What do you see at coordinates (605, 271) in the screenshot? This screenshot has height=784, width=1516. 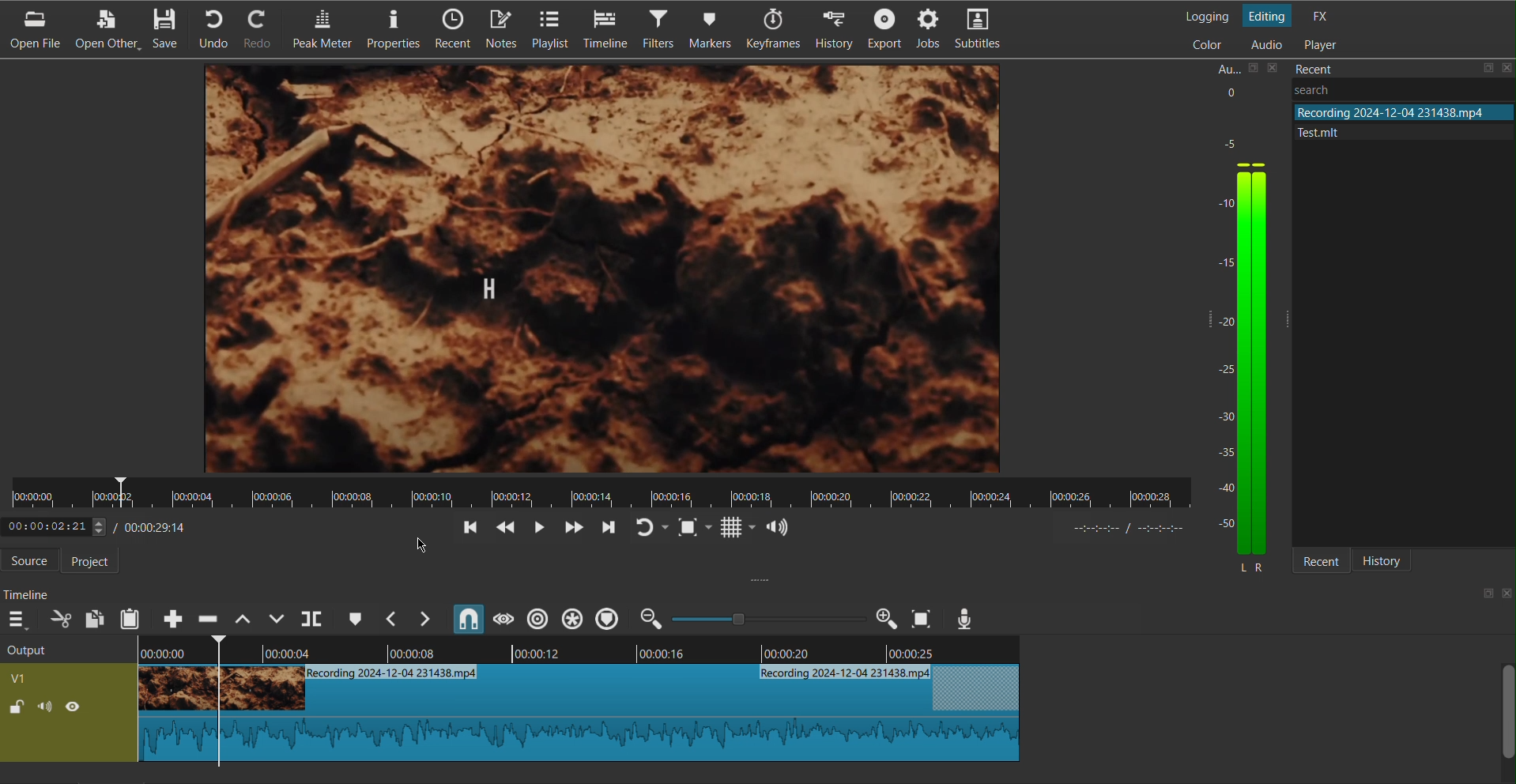 I see `Video Preview` at bounding box center [605, 271].